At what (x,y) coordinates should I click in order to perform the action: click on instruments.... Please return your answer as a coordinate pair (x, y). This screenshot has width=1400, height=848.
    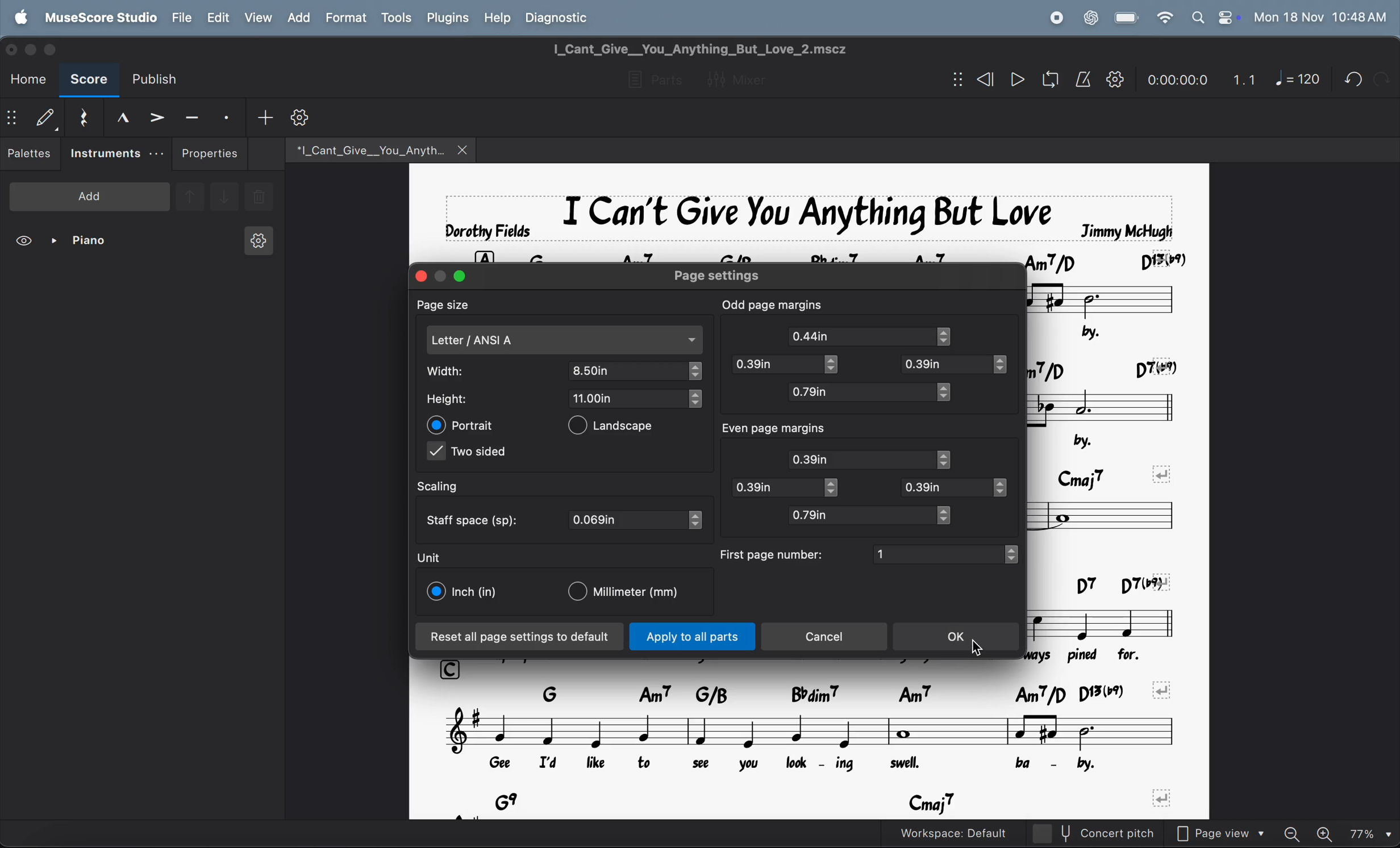
    Looking at the image, I should click on (116, 154).